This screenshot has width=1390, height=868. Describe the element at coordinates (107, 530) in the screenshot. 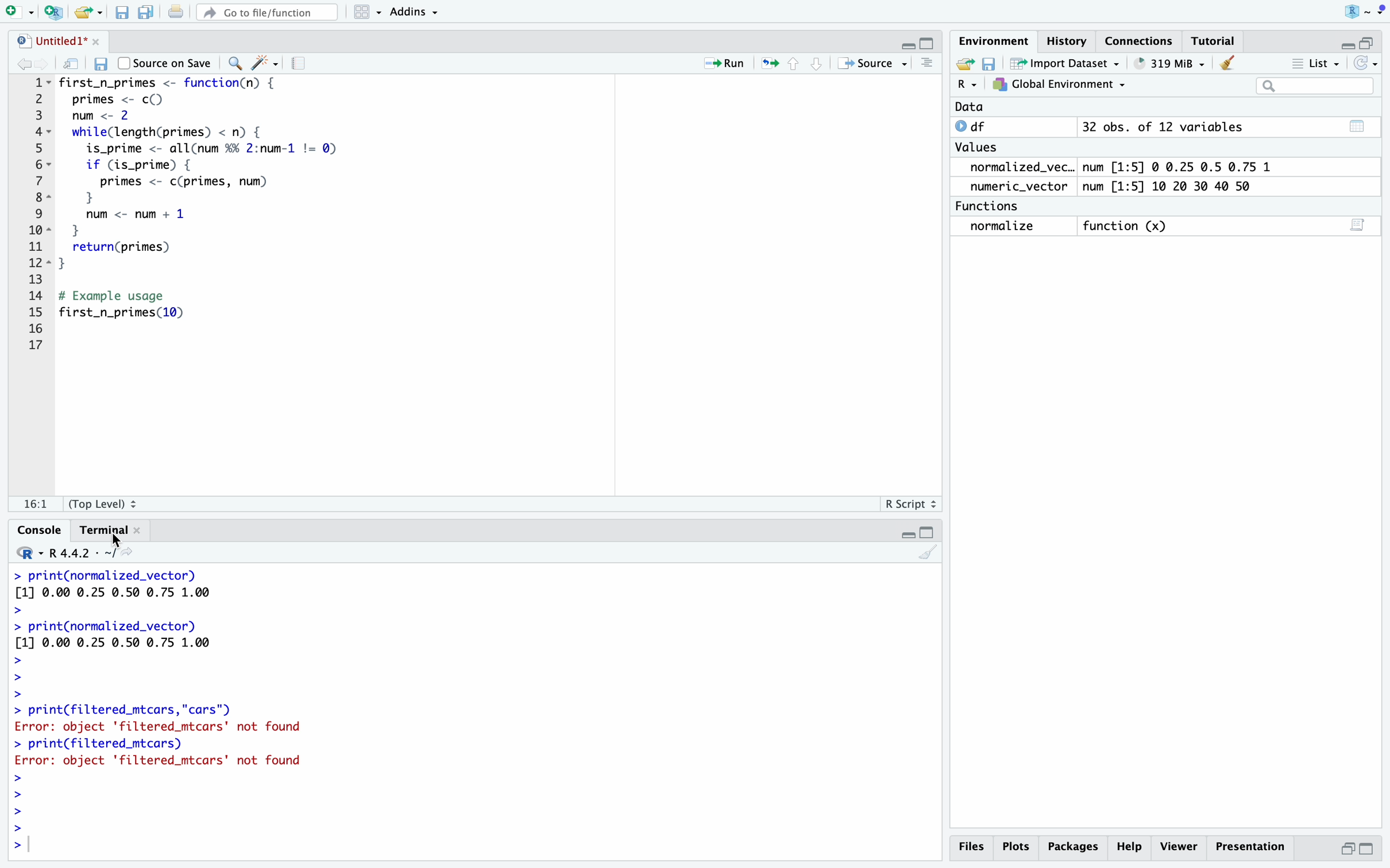

I see `Terminal` at that location.